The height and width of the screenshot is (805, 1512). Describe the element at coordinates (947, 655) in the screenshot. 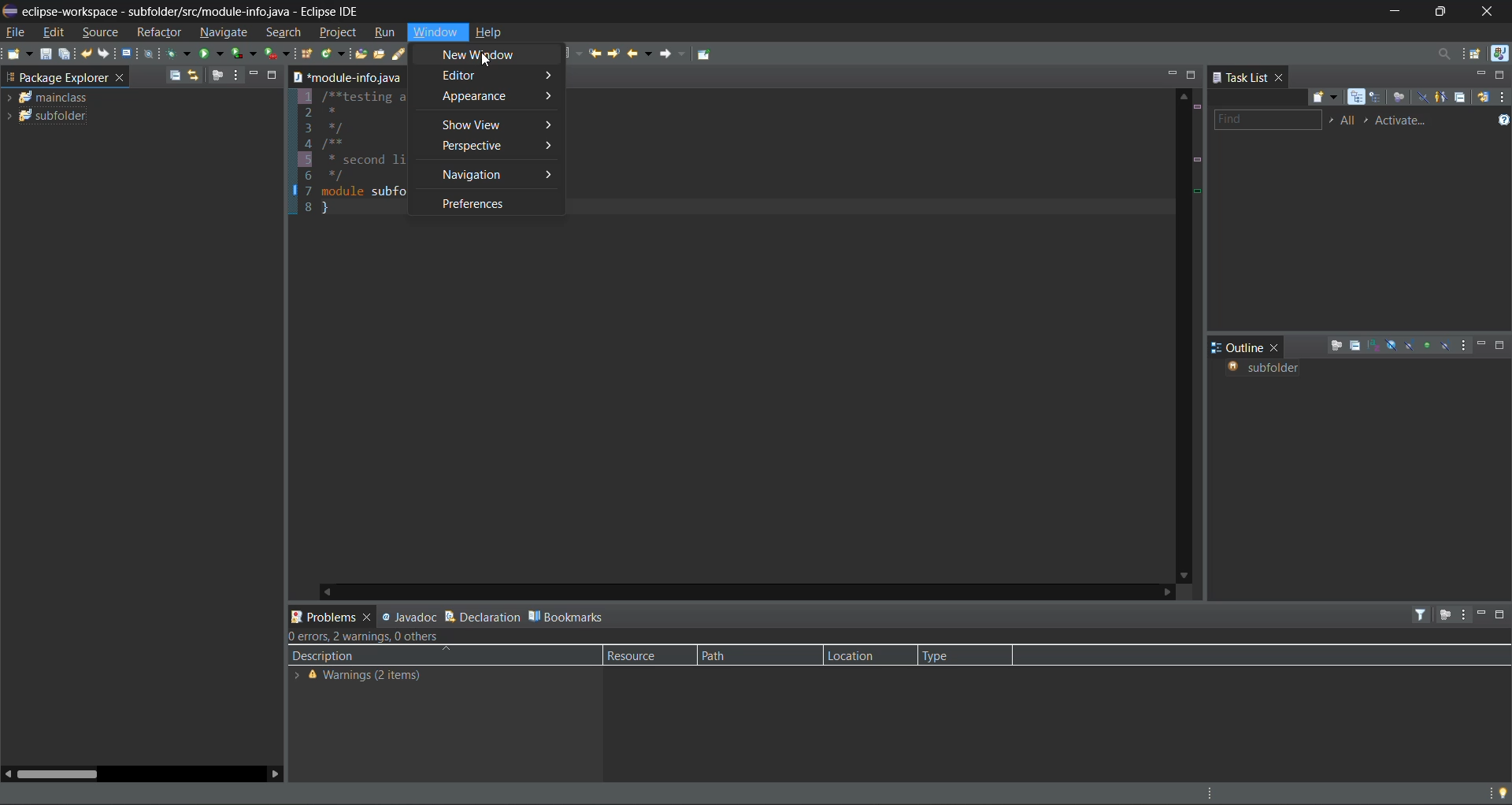

I see `type` at that location.